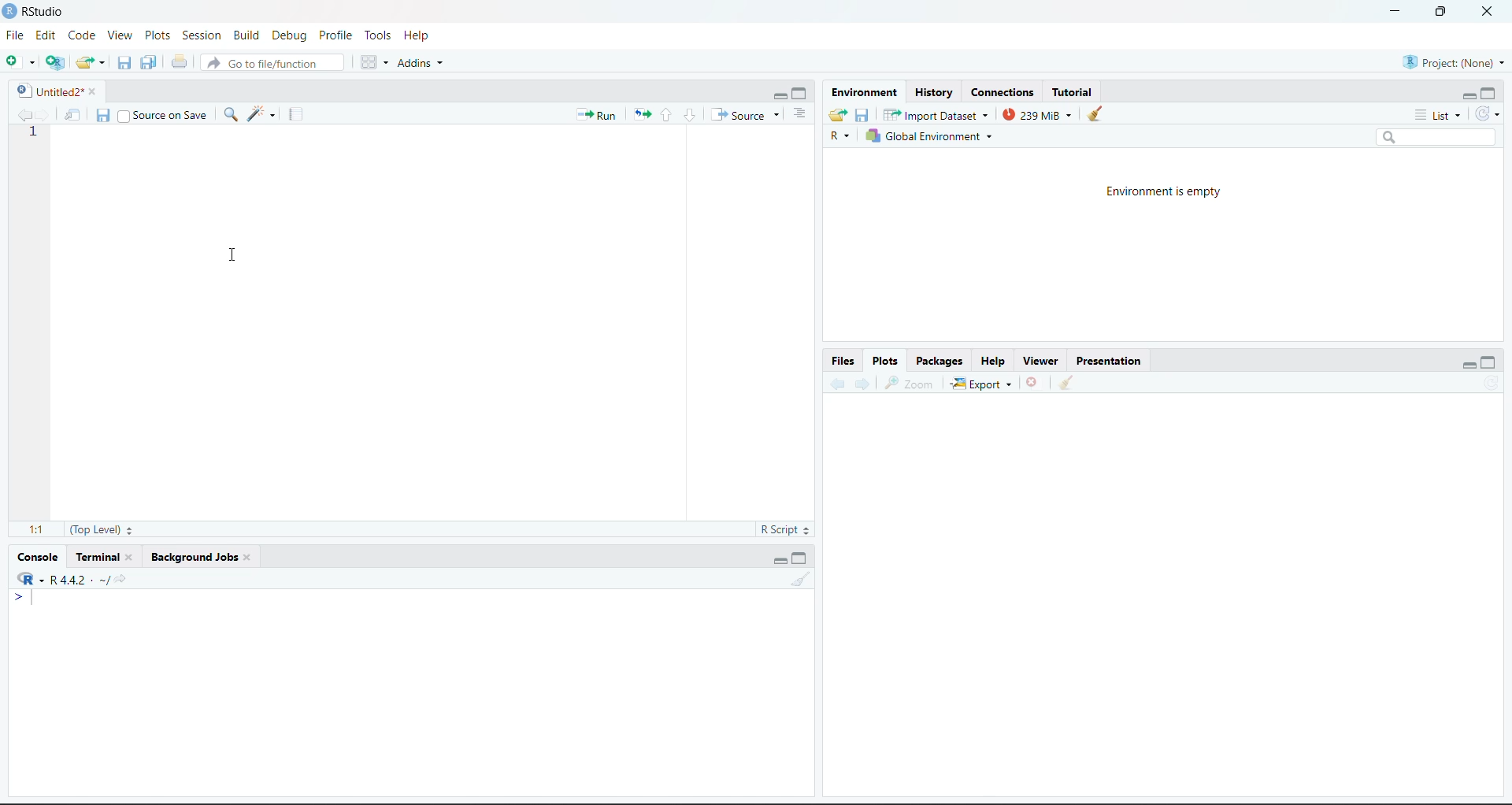  I want to click on Maximize, so click(802, 91).